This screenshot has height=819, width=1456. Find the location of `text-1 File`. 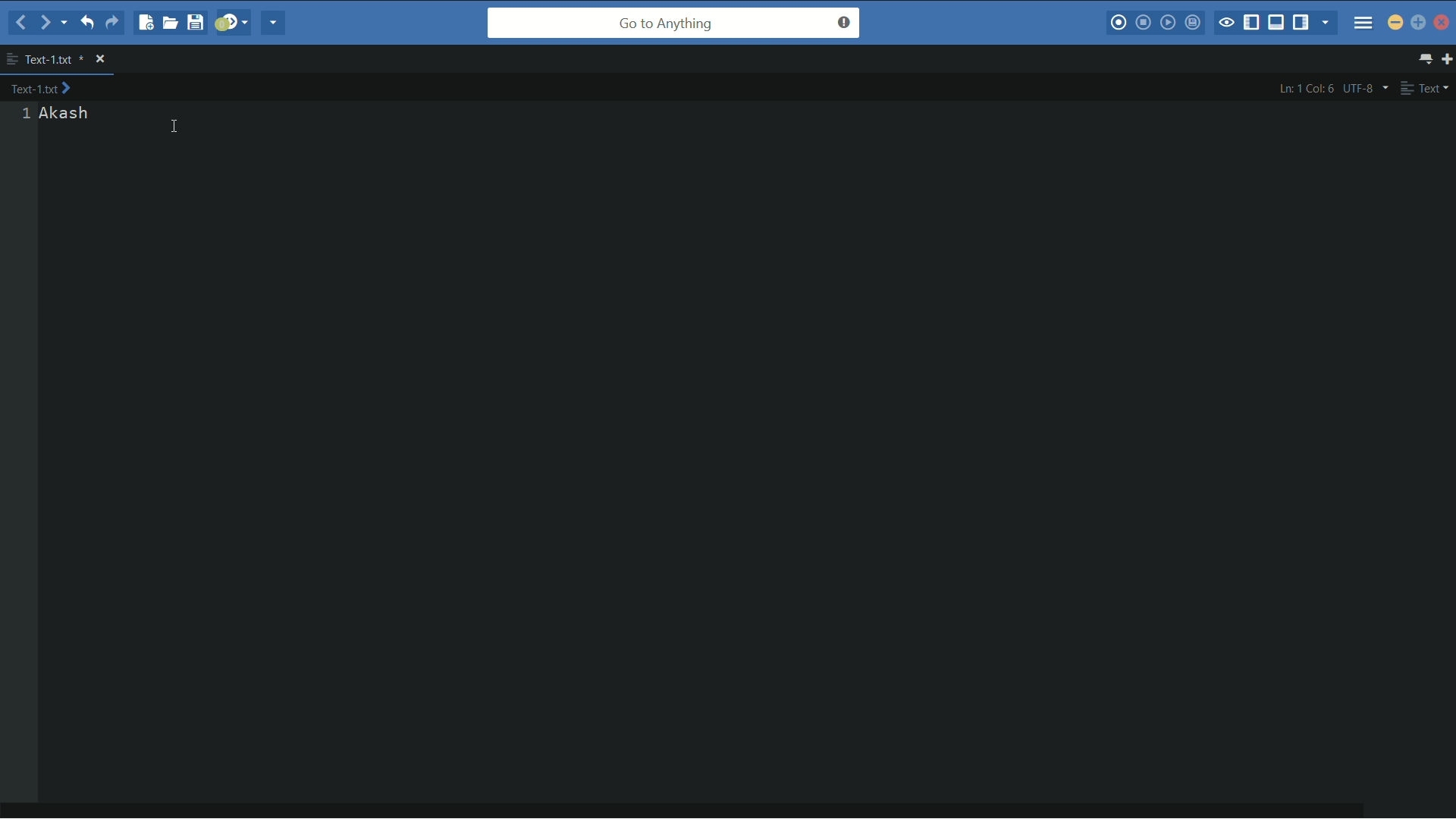

text-1 File is located at coordinates (40, 87).